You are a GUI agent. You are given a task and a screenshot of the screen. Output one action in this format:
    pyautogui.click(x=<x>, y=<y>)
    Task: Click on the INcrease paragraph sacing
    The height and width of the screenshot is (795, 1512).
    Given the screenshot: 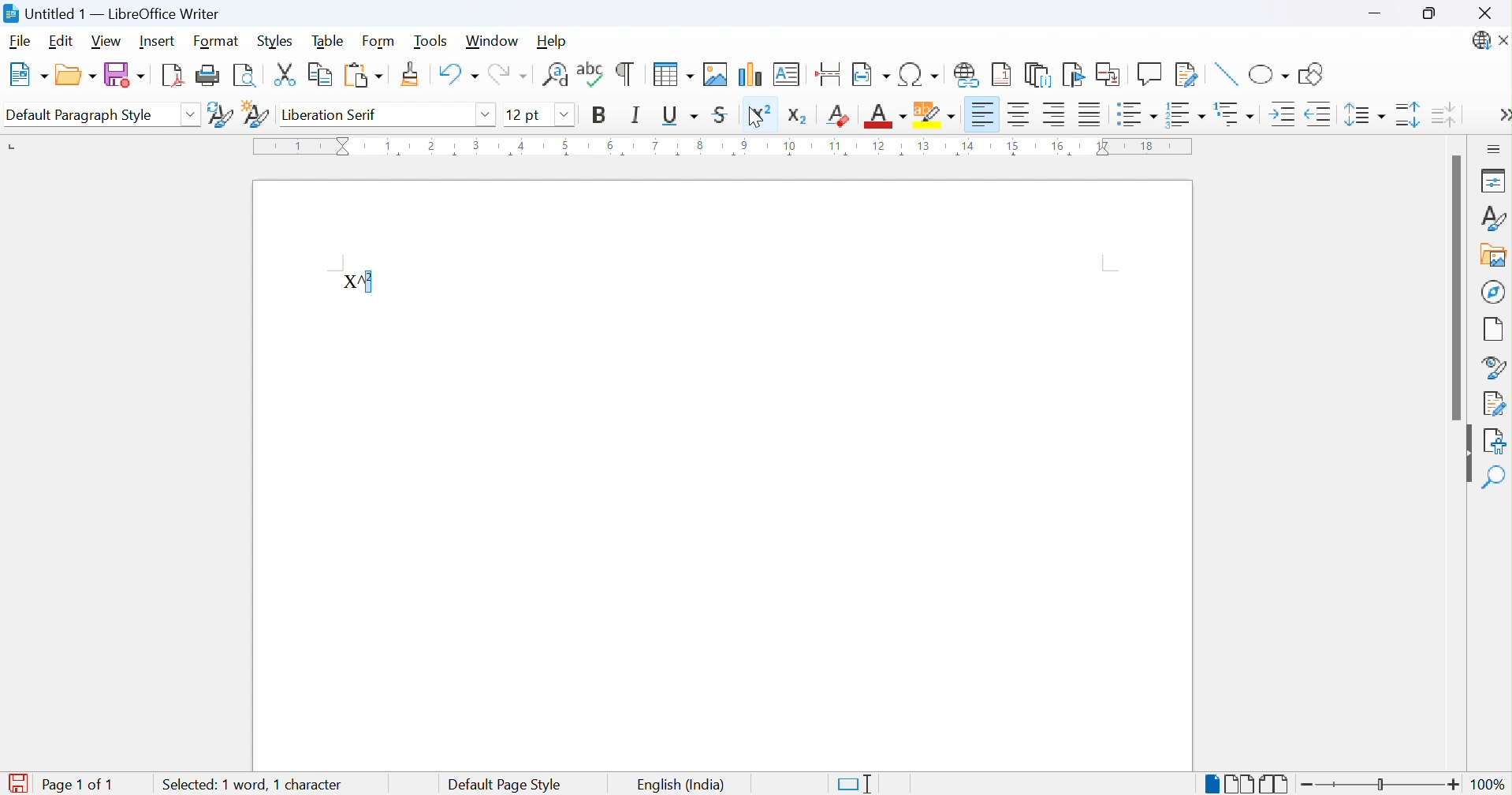 What is the action you would take?
    pyautogui.click(x=1408, y=114)
    